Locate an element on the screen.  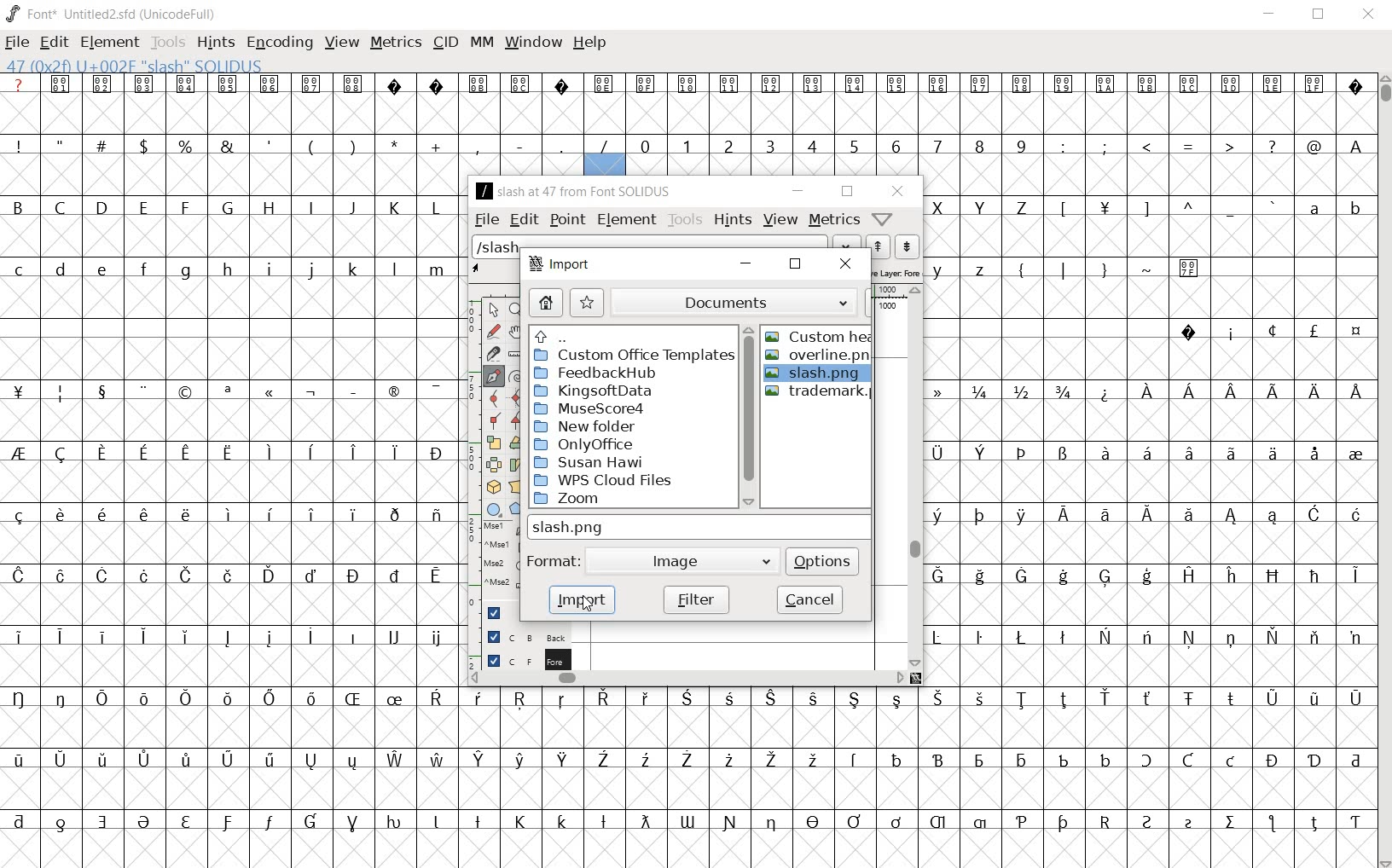
options is located at coordinates (822, 561).